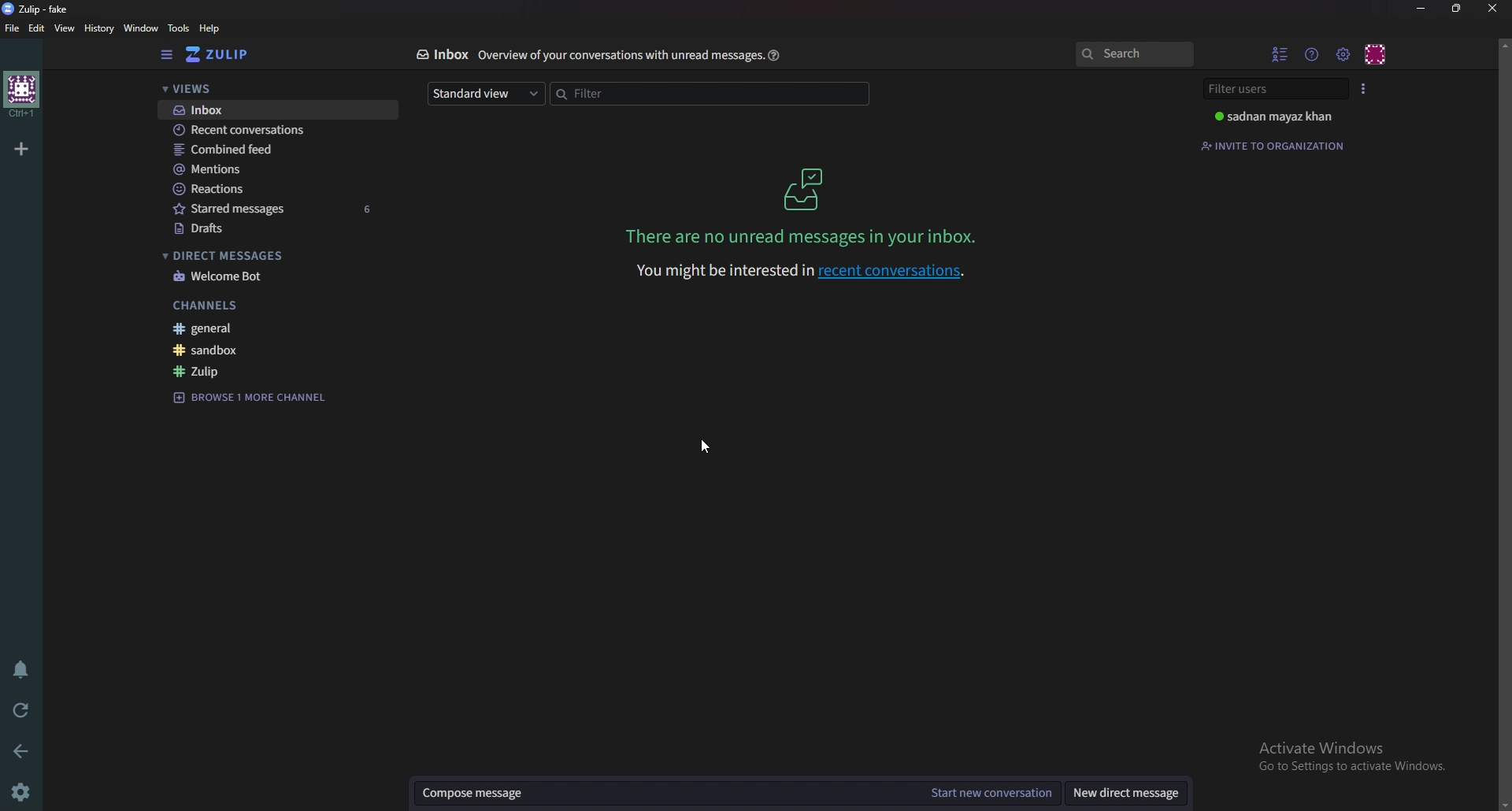 This screenshot has width=1512, height=811. I want to click on zulip-fake, so click(39, 9).